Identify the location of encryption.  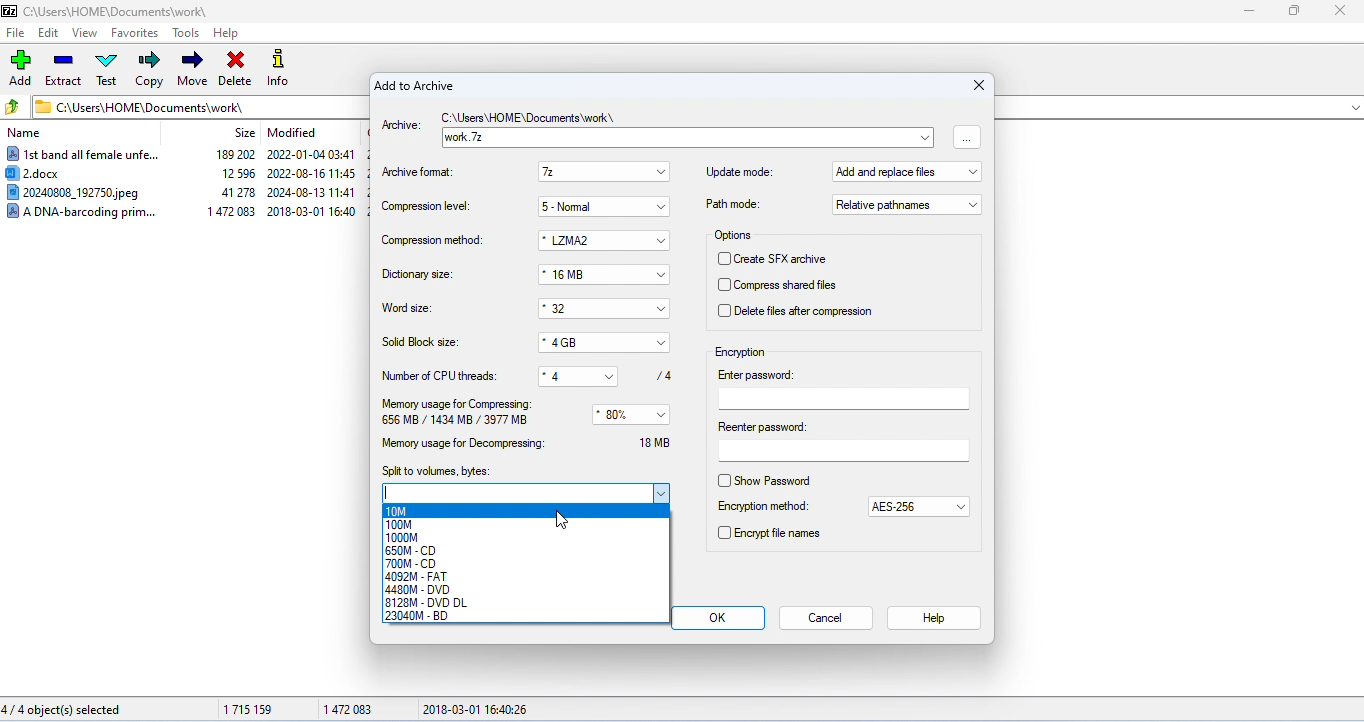
(741, 352).